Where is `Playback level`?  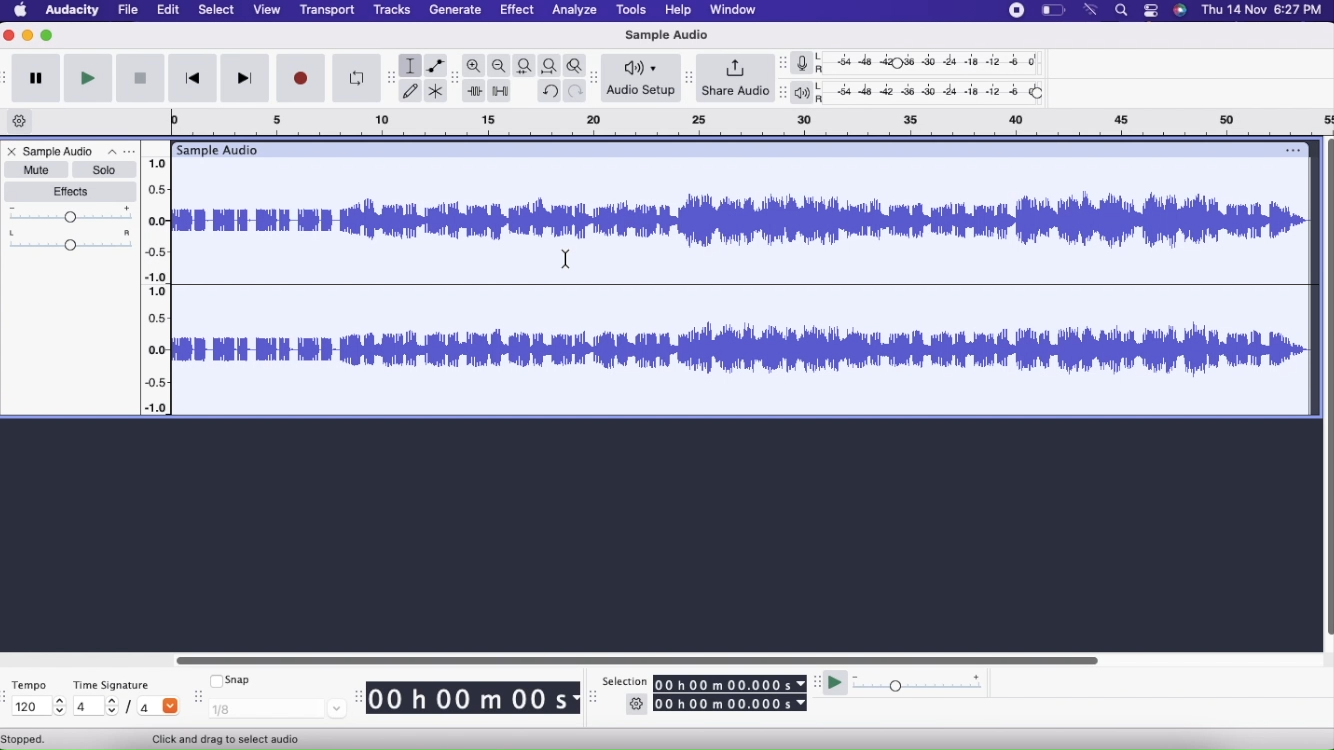 Playback level is located at coordinates (938, 94).